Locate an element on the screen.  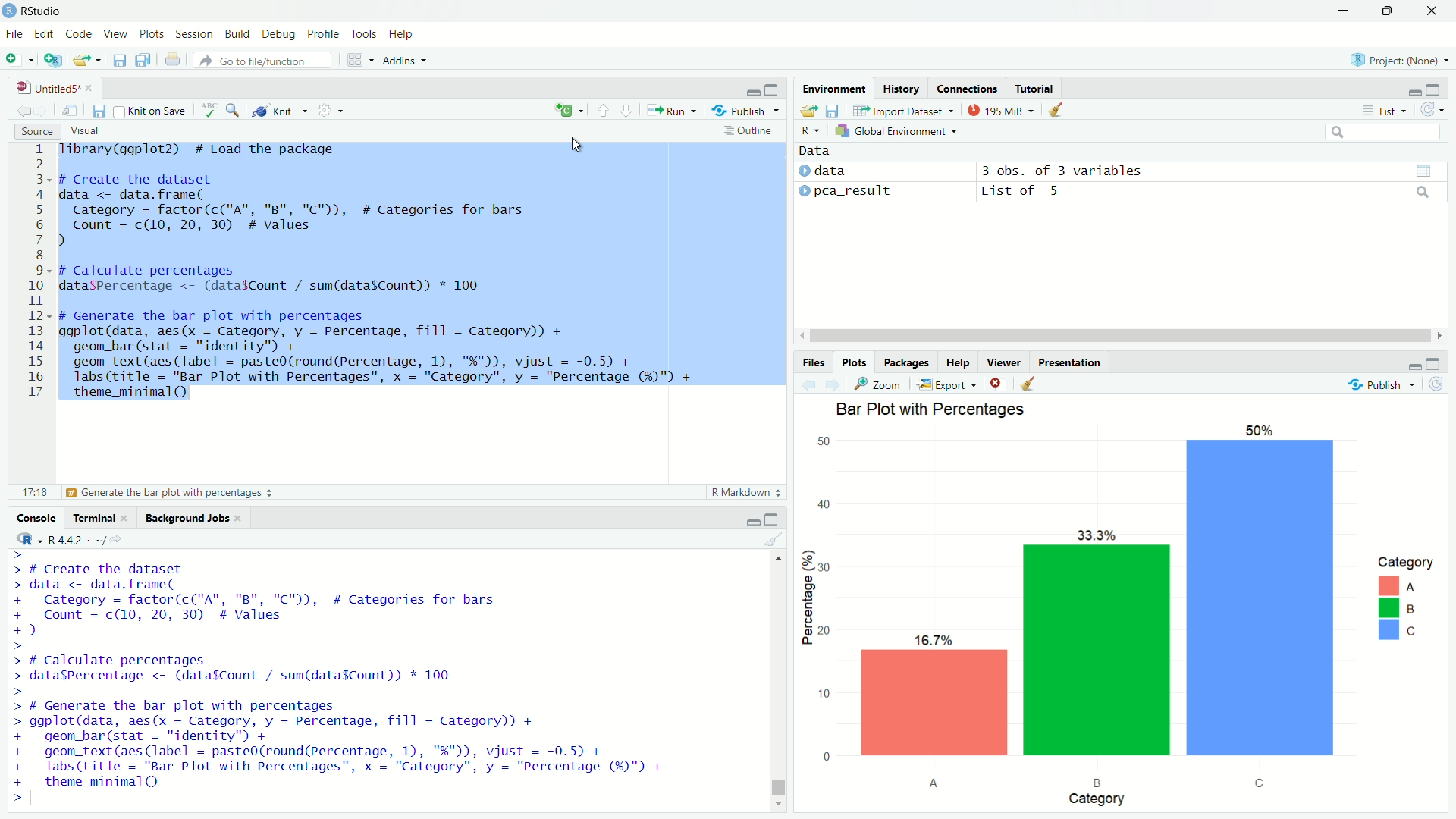
go back is located at coordinates (808, 385).